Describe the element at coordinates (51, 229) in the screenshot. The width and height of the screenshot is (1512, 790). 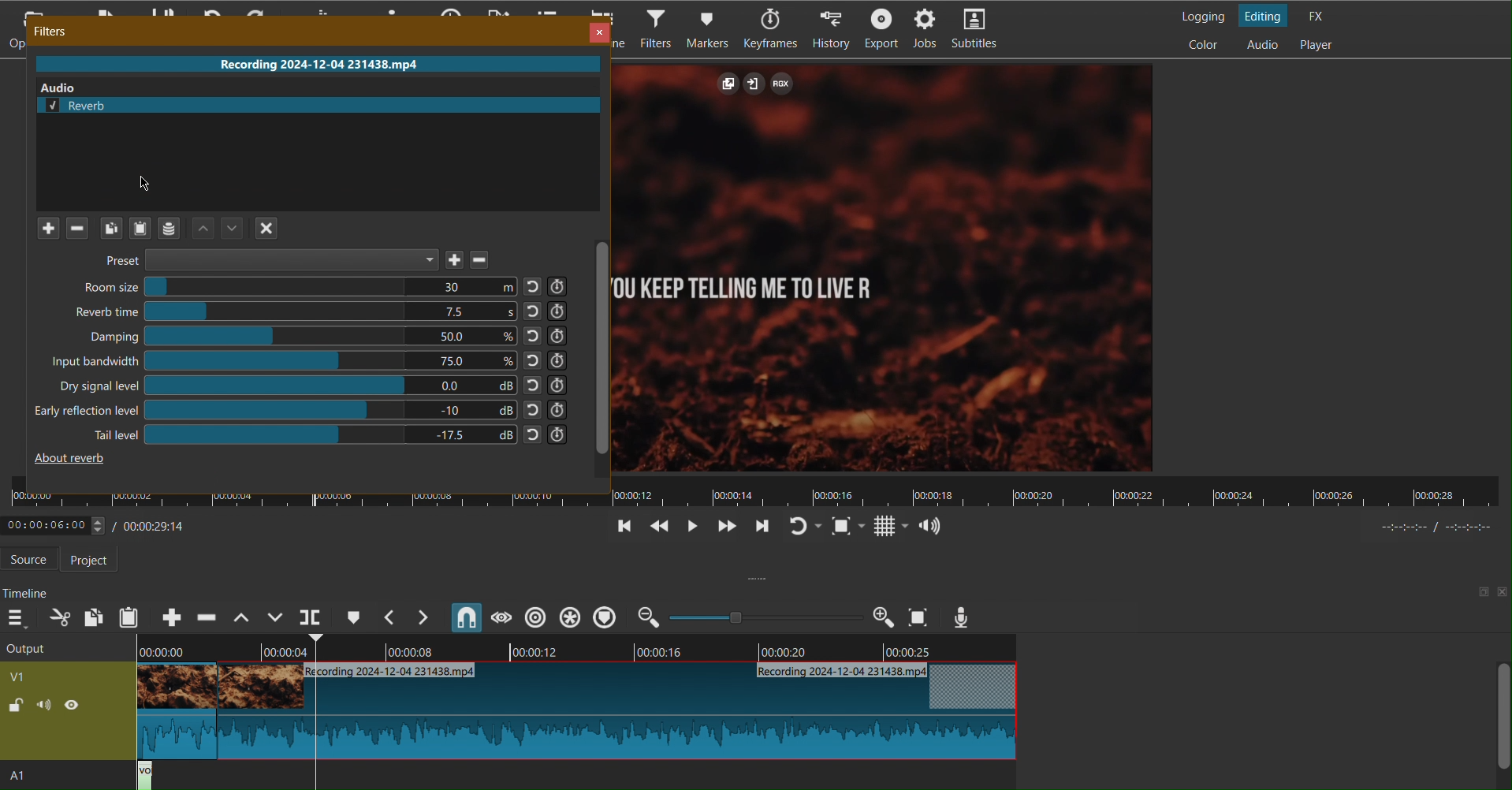
I see `Plus` at that location.